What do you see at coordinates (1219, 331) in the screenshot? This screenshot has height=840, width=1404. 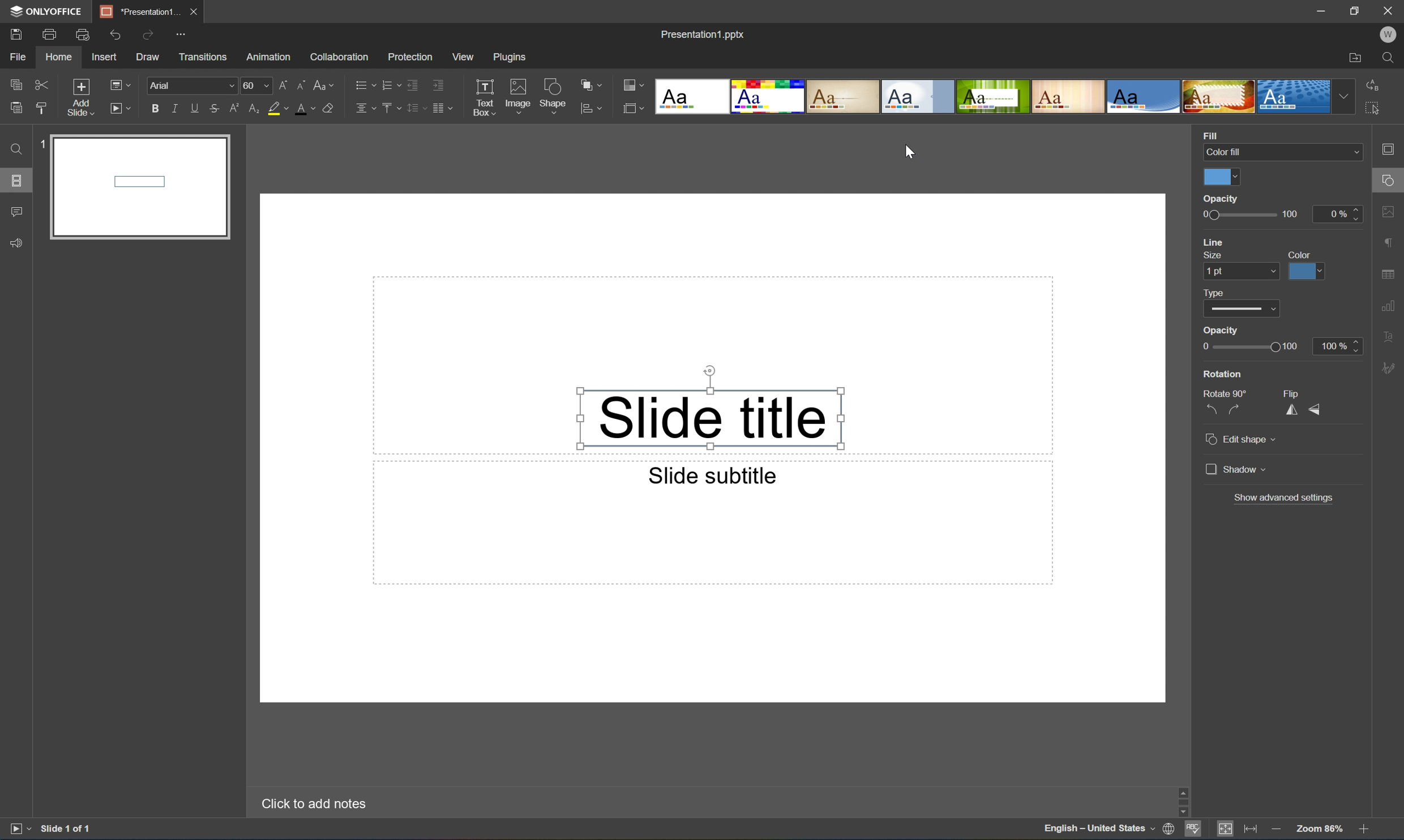 I see `Opacity` at bounding box center [1219, 331].